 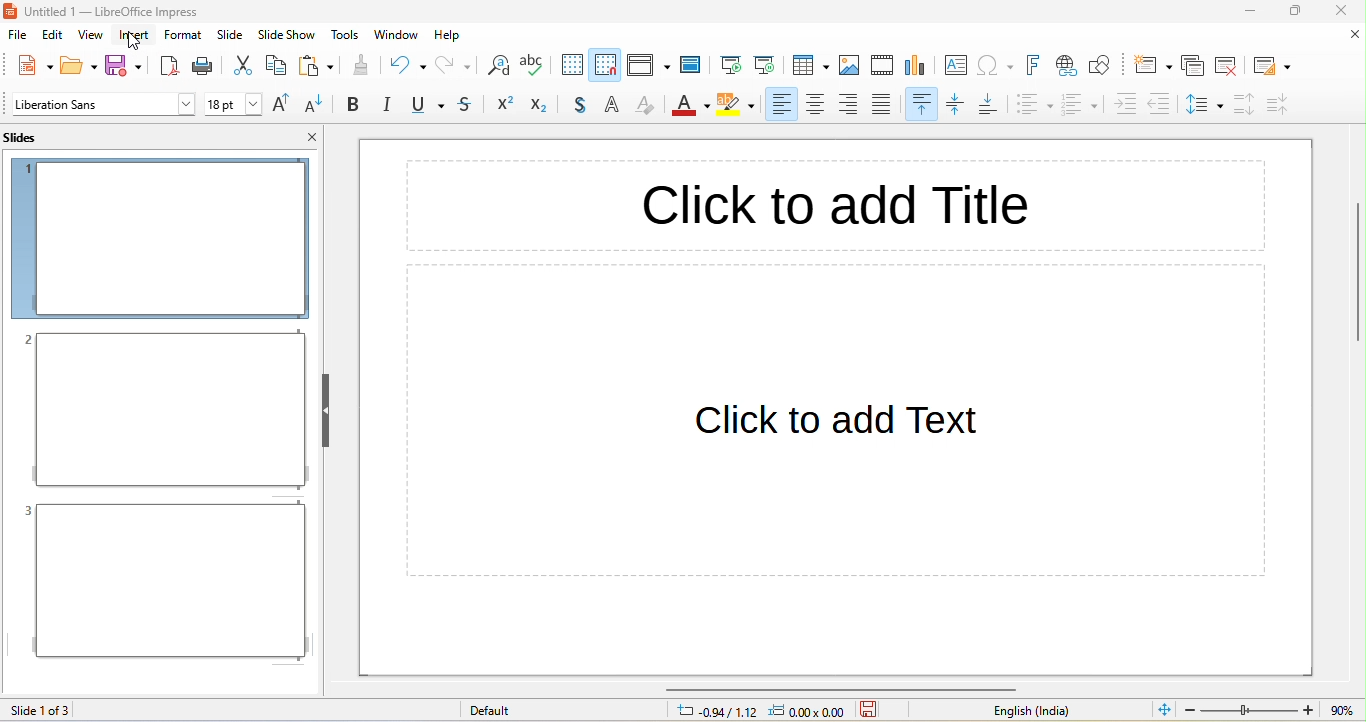 What do you see at coordinates (1280, 104) in the screenshot?
I see `decrease paragraph spacing` at bounding box center [1280, 104].